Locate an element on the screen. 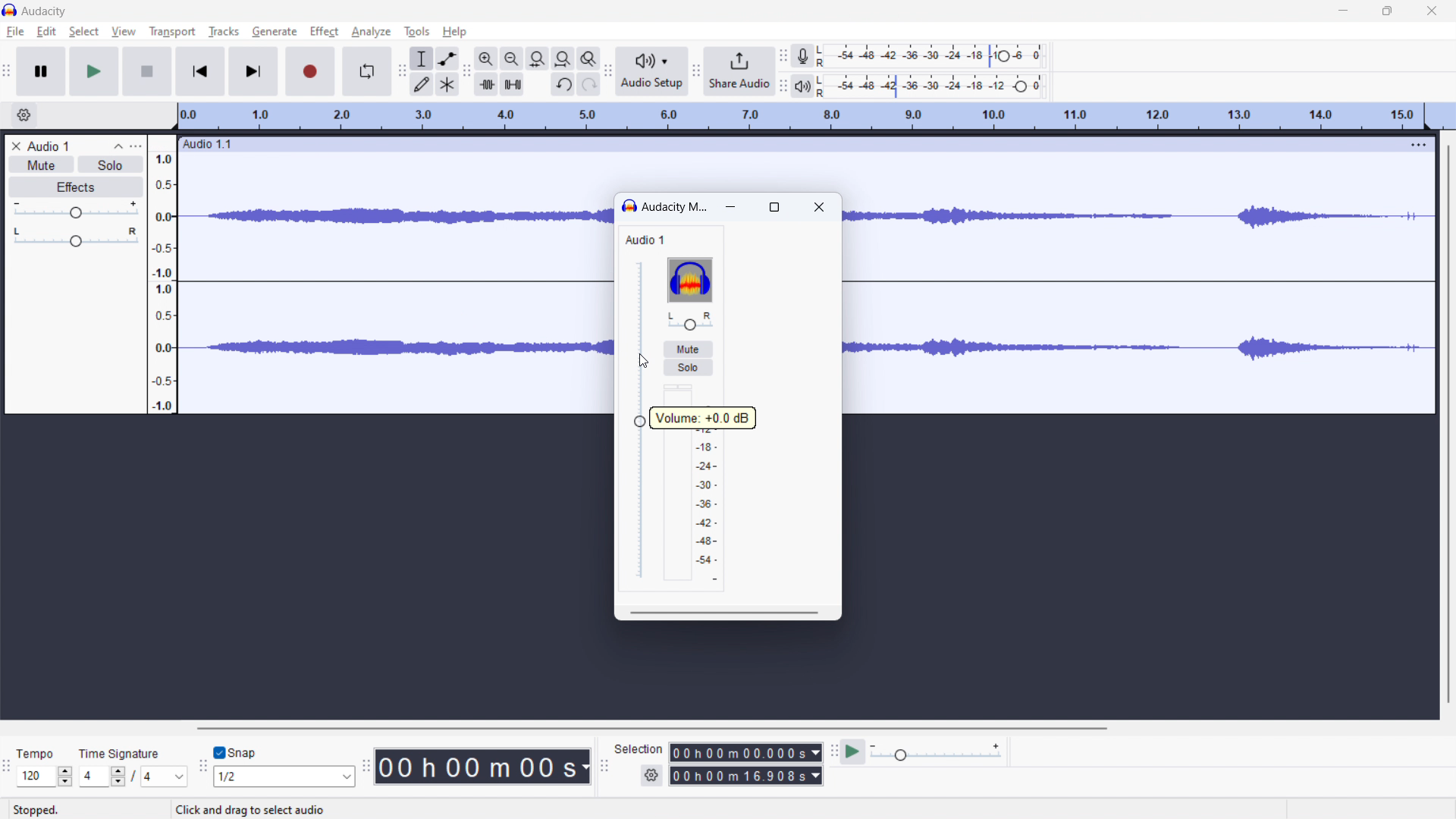 The height and width of the screenshot is (819, 1456). edit toolbar is located at coordinates (466, 70).